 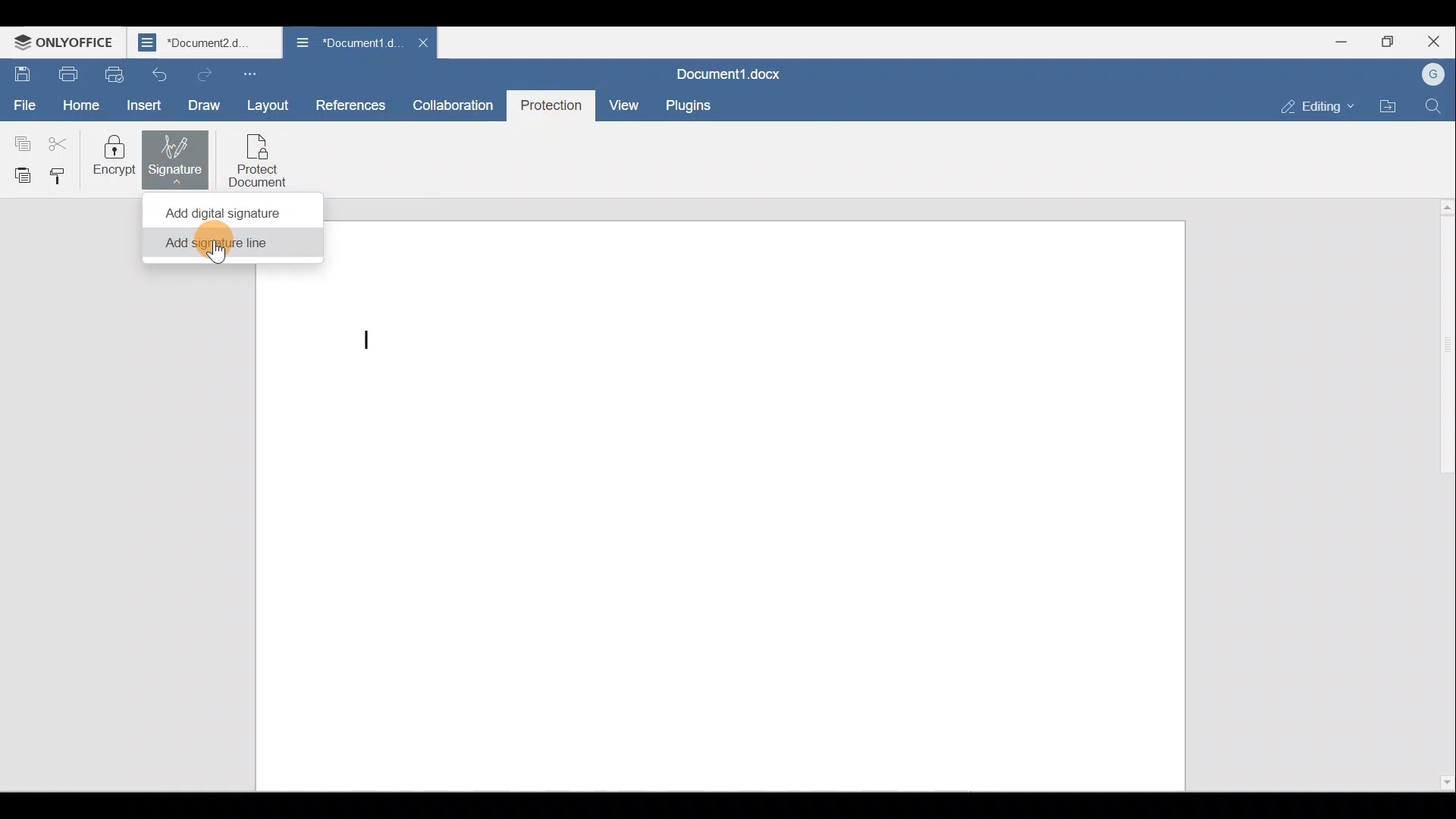 I want to click on Print file, so click(x=67, y=74).